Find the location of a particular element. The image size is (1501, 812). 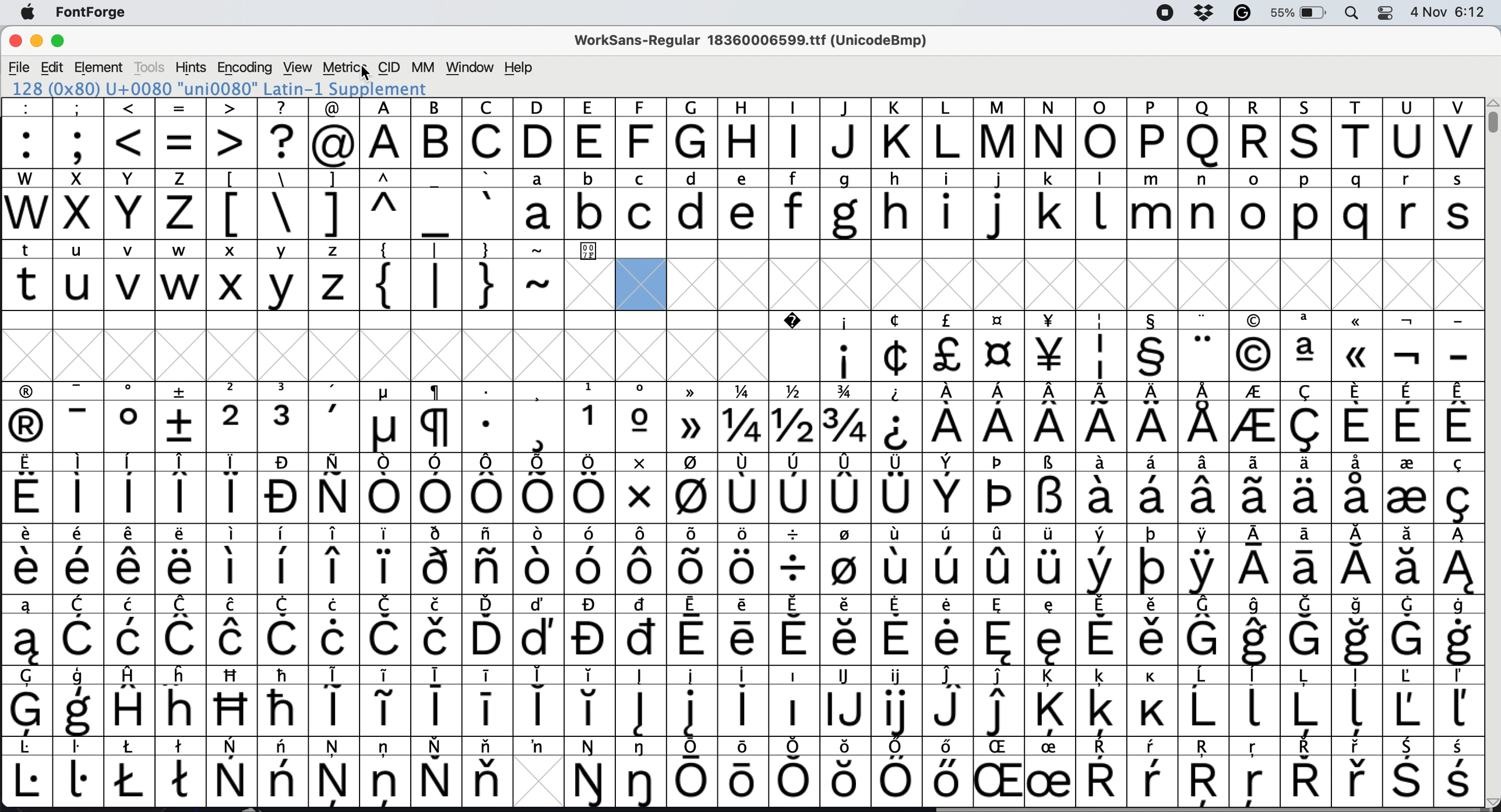

special letters is located at coordinates (742, 781).